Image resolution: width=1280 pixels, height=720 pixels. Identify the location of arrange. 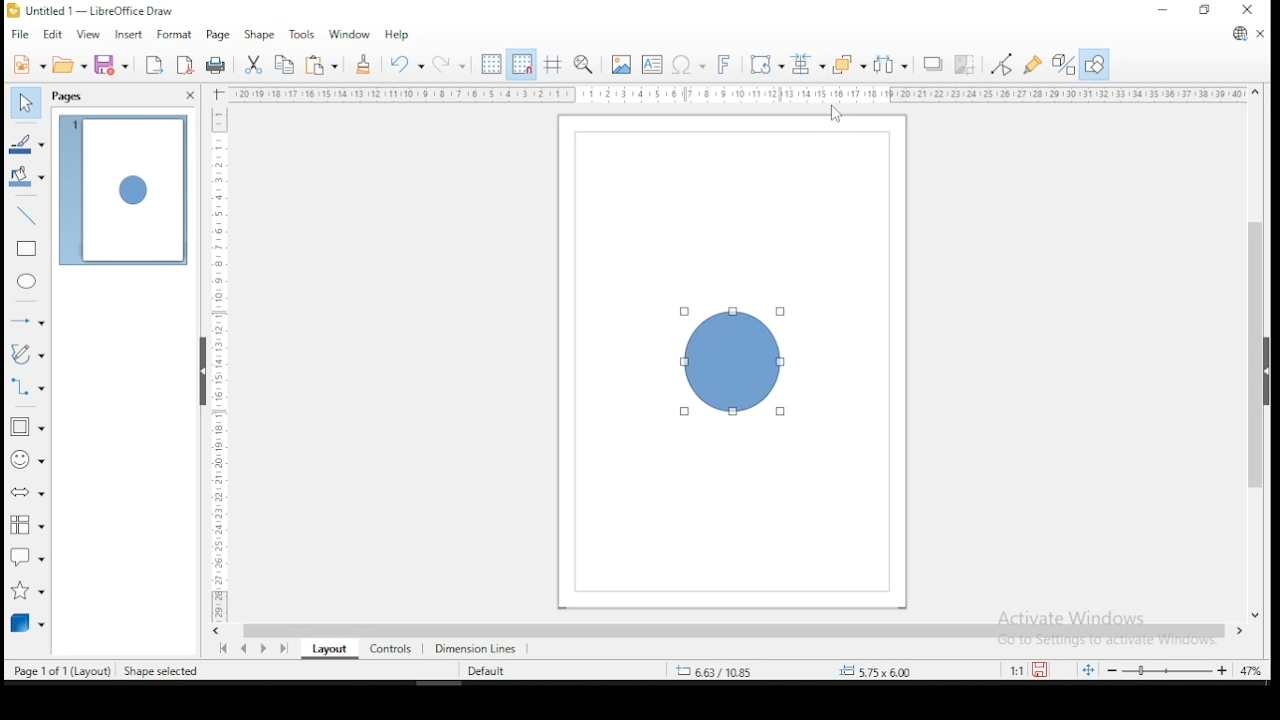
(849, 64).